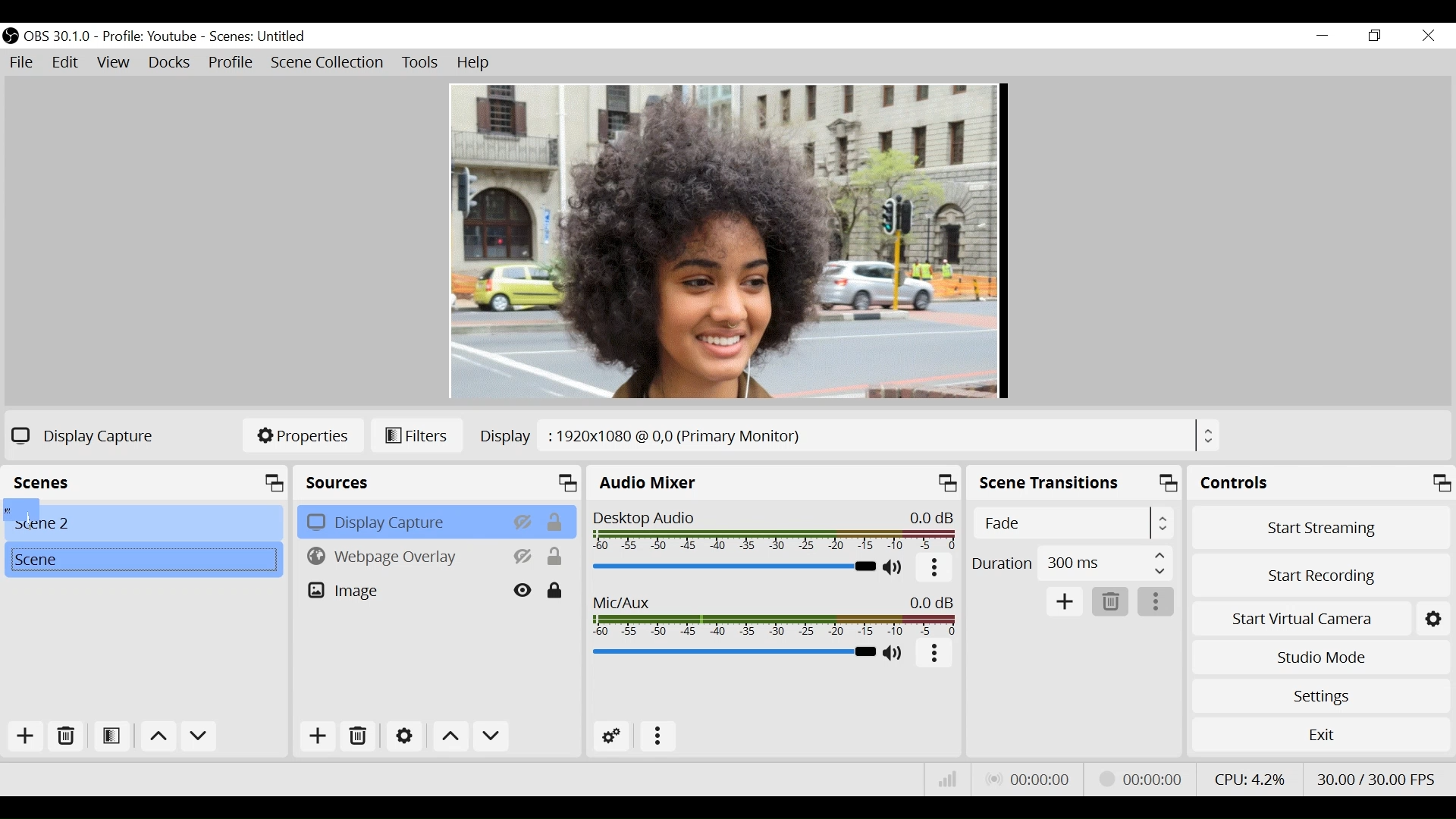 The image size is (1456, 819). Describe the element at coordinates (1319, 695) in the screenshot. I see `Settings` at that location.